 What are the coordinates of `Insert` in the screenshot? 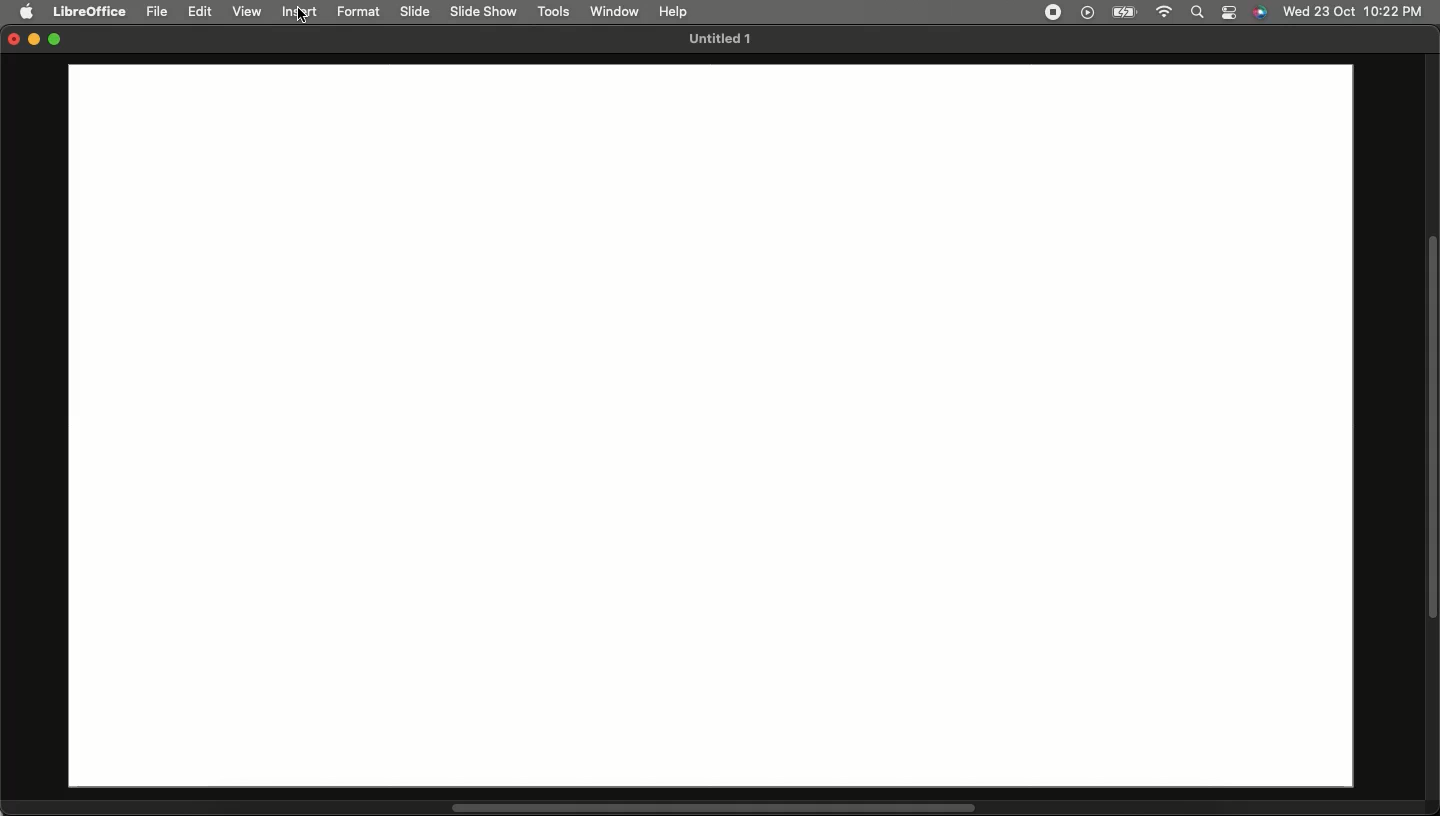 It's located at (304, 13).